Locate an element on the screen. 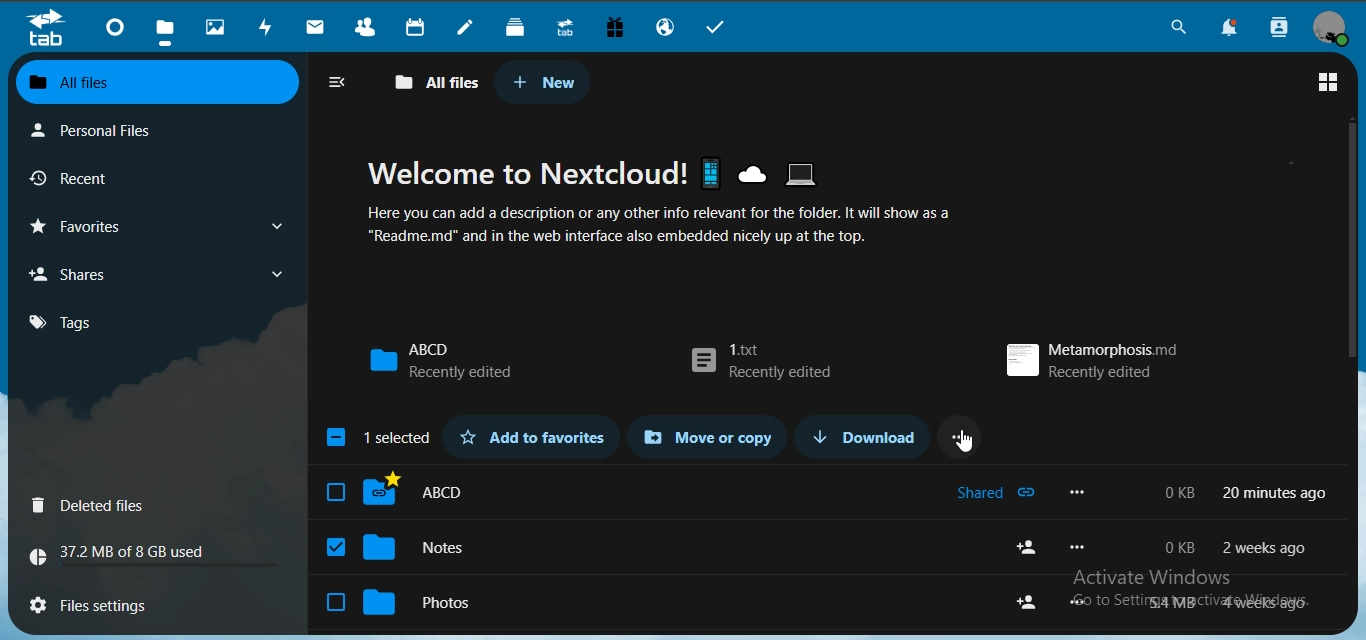 The image size is (1366, 640). ABCD is located at coordinates (485, 495).